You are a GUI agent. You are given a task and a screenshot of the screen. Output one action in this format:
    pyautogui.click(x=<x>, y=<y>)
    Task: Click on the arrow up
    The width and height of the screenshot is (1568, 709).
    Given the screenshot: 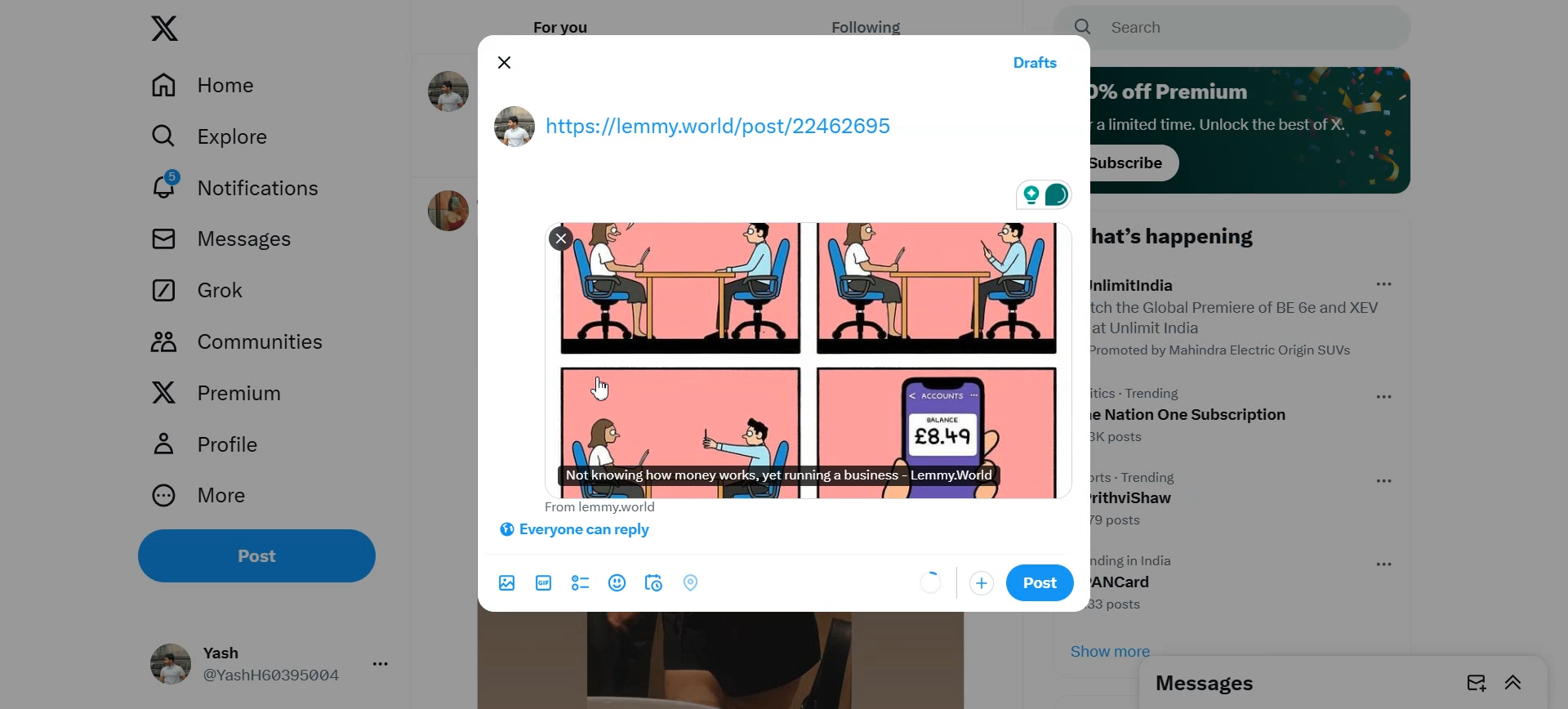 What is the action you would take?
    pyautogui.click(x=1519, y=684)
    